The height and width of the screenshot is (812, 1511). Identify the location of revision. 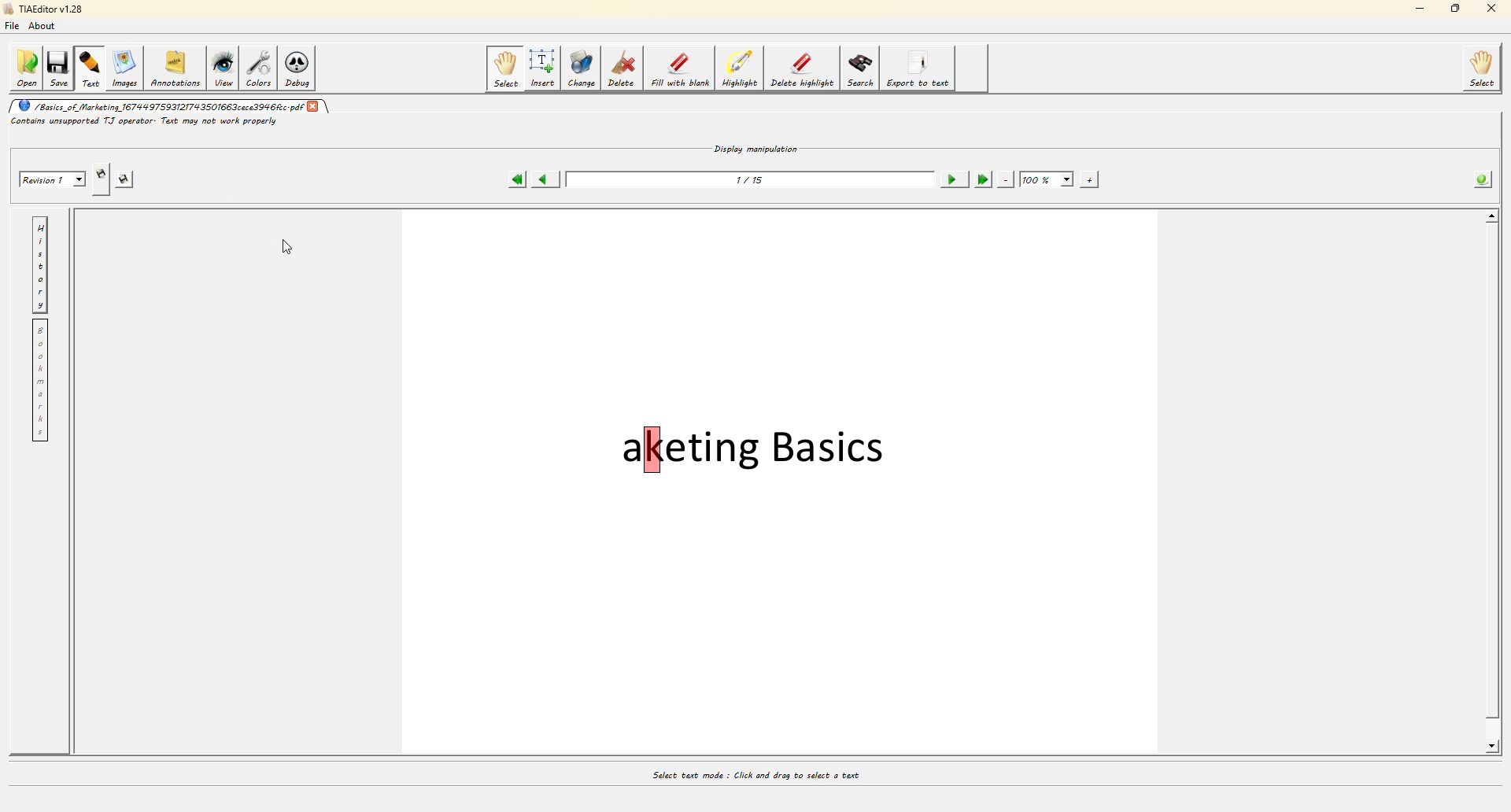
(50, 174).